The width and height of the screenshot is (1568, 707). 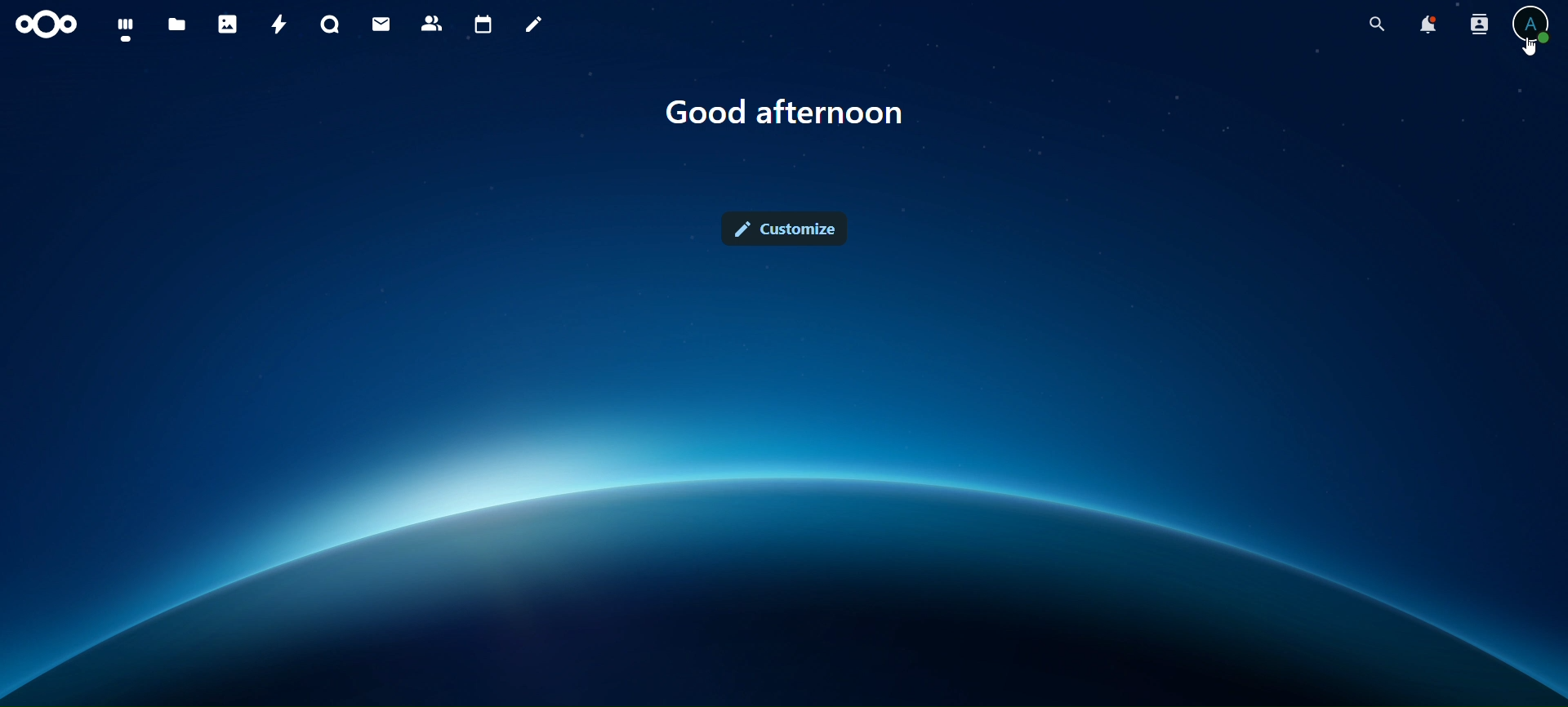 I want to click on files, so click(x=176, y=25).